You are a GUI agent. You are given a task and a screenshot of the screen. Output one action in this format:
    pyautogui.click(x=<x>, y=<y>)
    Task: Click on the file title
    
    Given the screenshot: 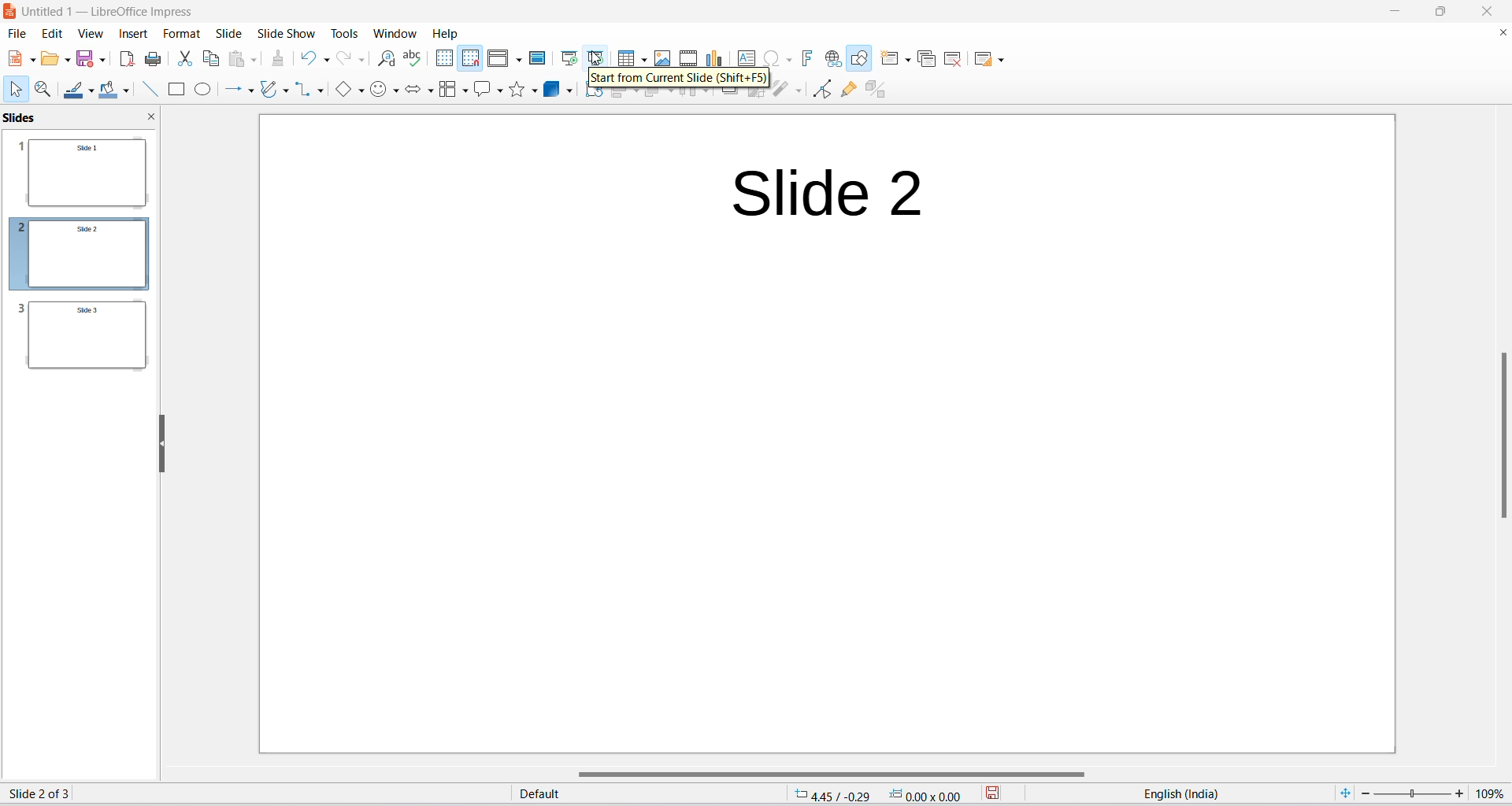 What is the action you would take?
    pyautogui.click(x=113, y=14)
    